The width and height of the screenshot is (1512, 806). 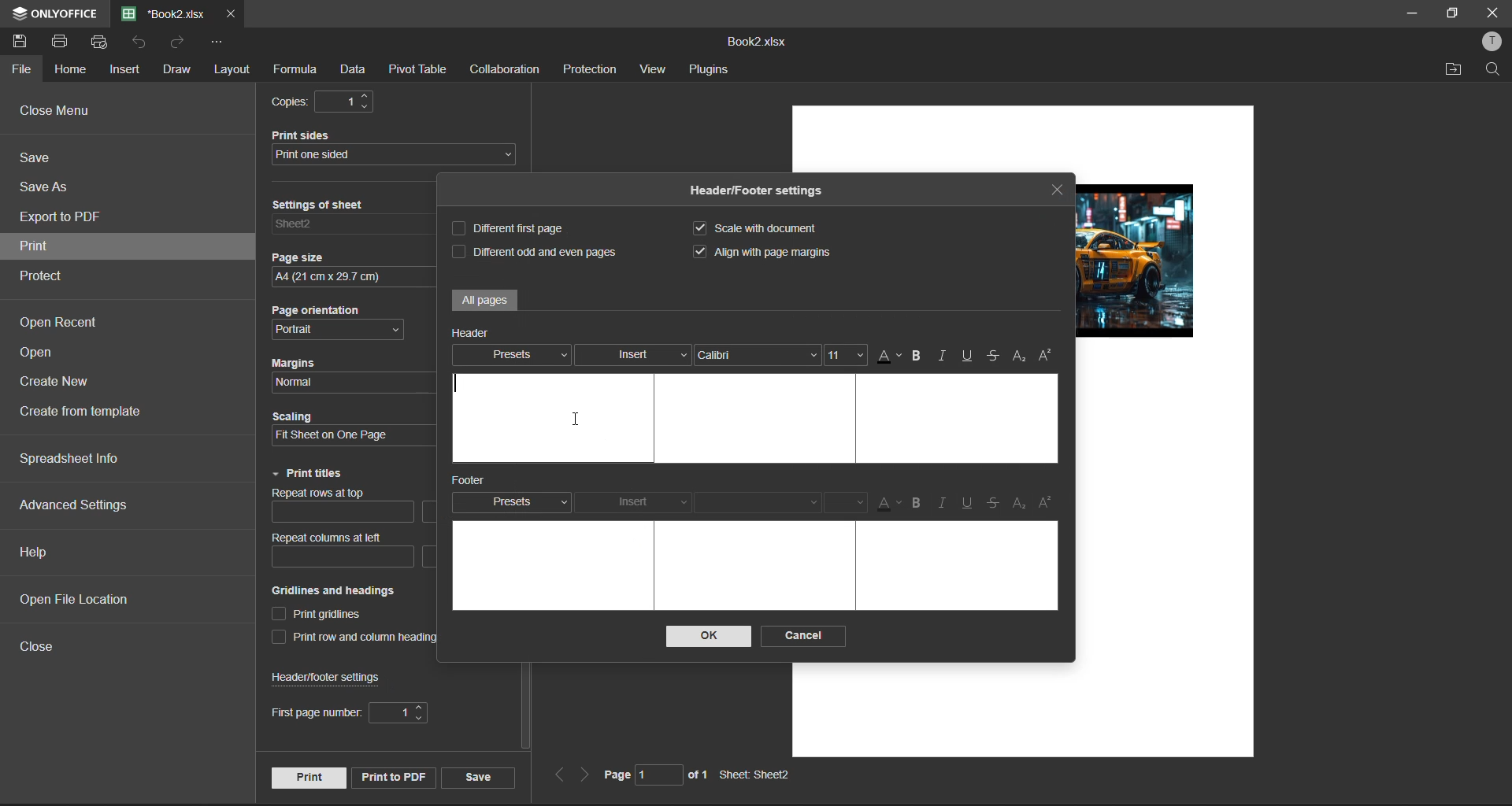 I want to click on font size, so click(x=847, y=503).